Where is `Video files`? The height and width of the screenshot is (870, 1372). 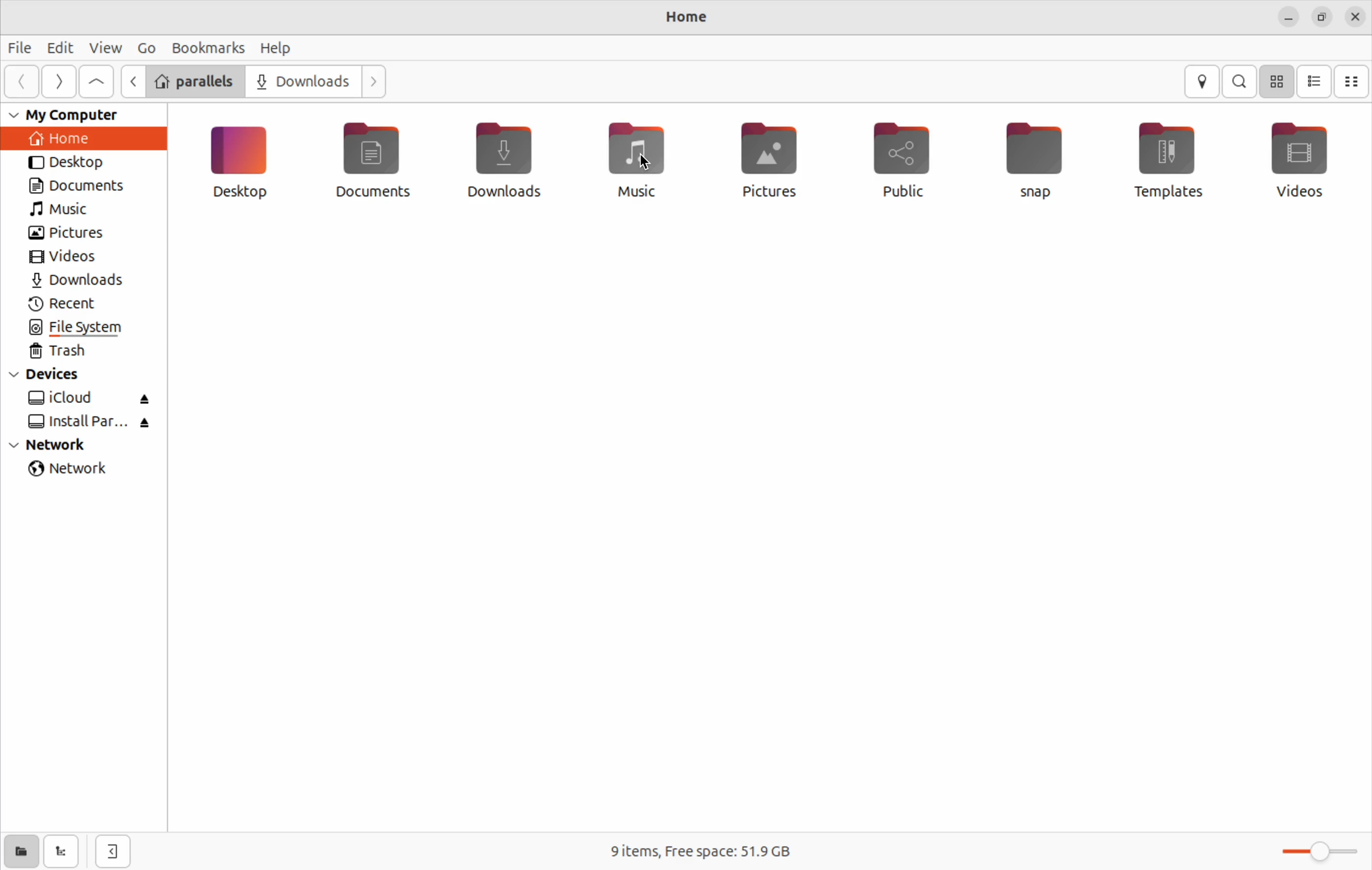
Video files is located at coordinates (1301, 158).